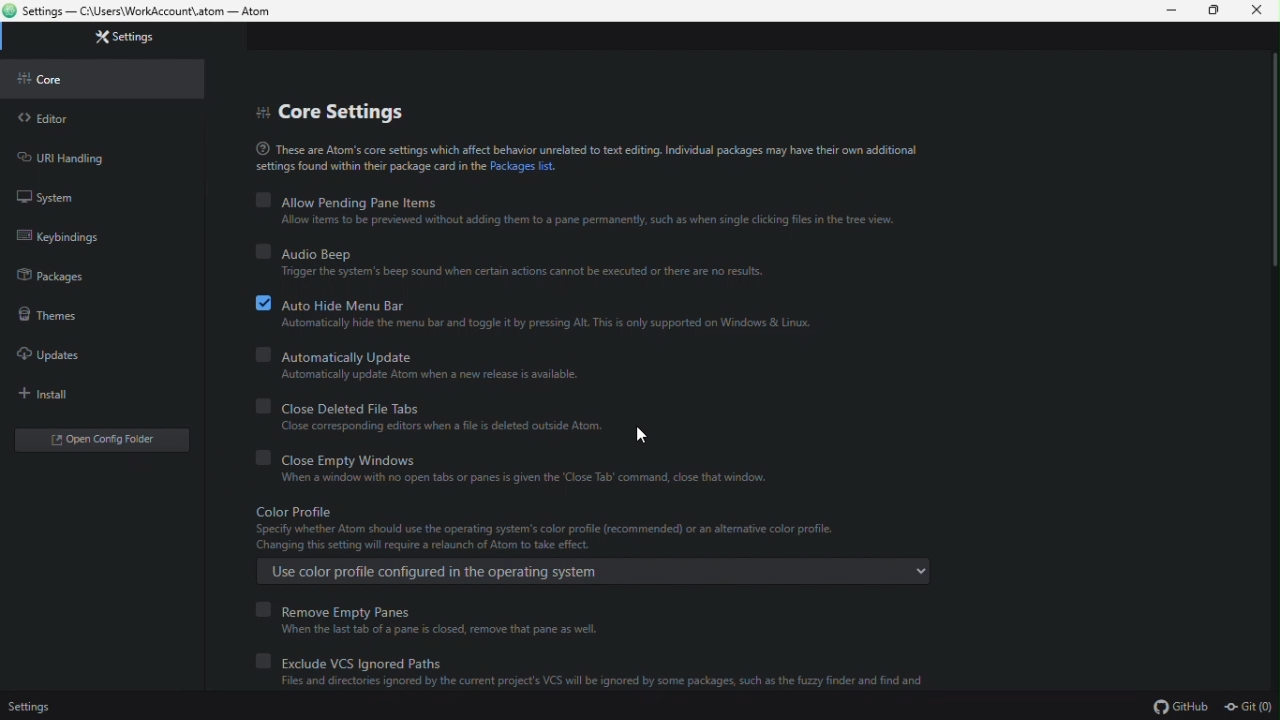  I want to click on Packages, so click(50, 275).